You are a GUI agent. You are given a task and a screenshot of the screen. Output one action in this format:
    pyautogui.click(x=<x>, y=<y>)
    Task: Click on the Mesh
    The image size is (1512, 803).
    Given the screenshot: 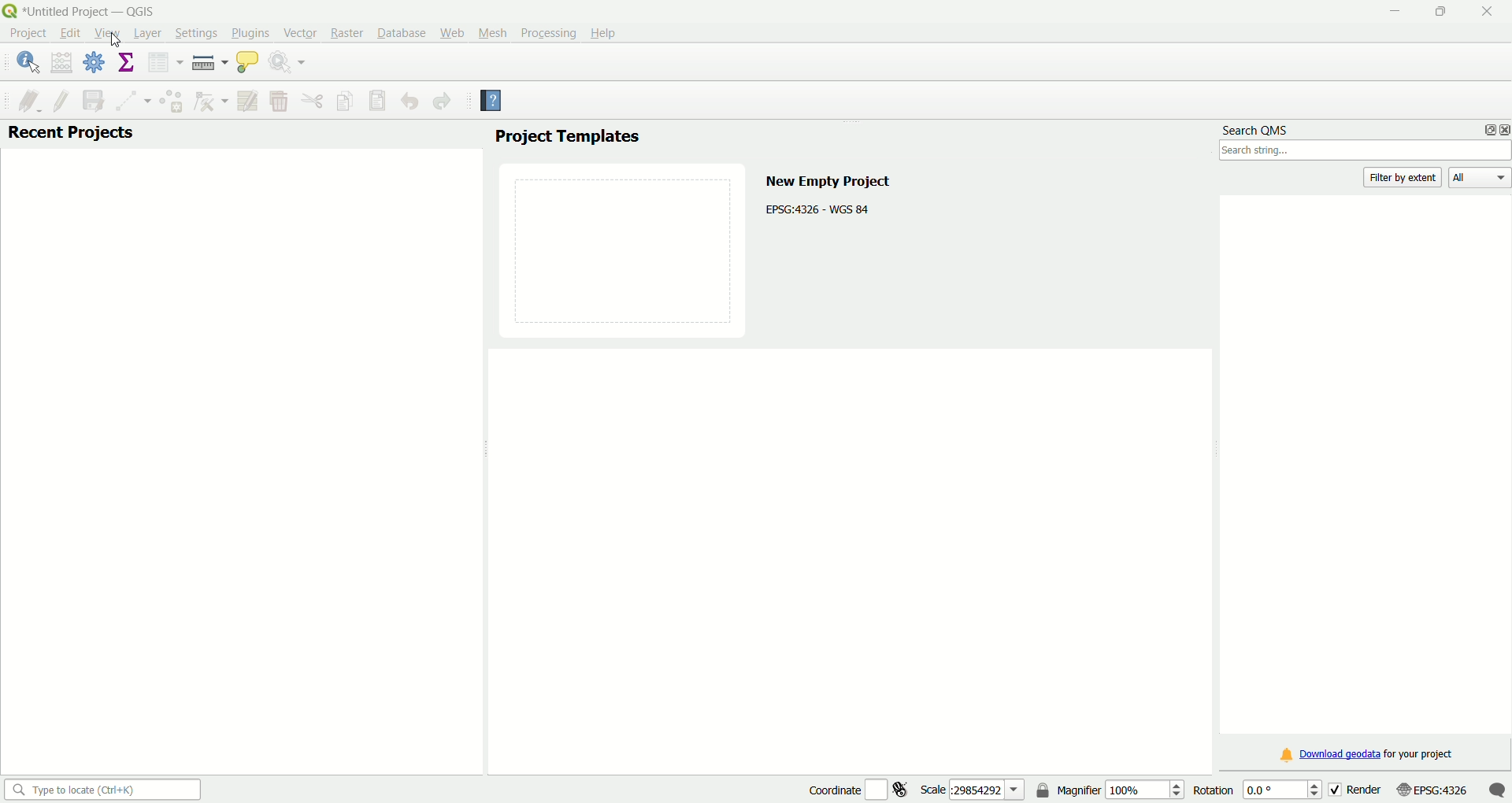 What is the action you would take?
    pyautogui.click(x=491, y=32)
    